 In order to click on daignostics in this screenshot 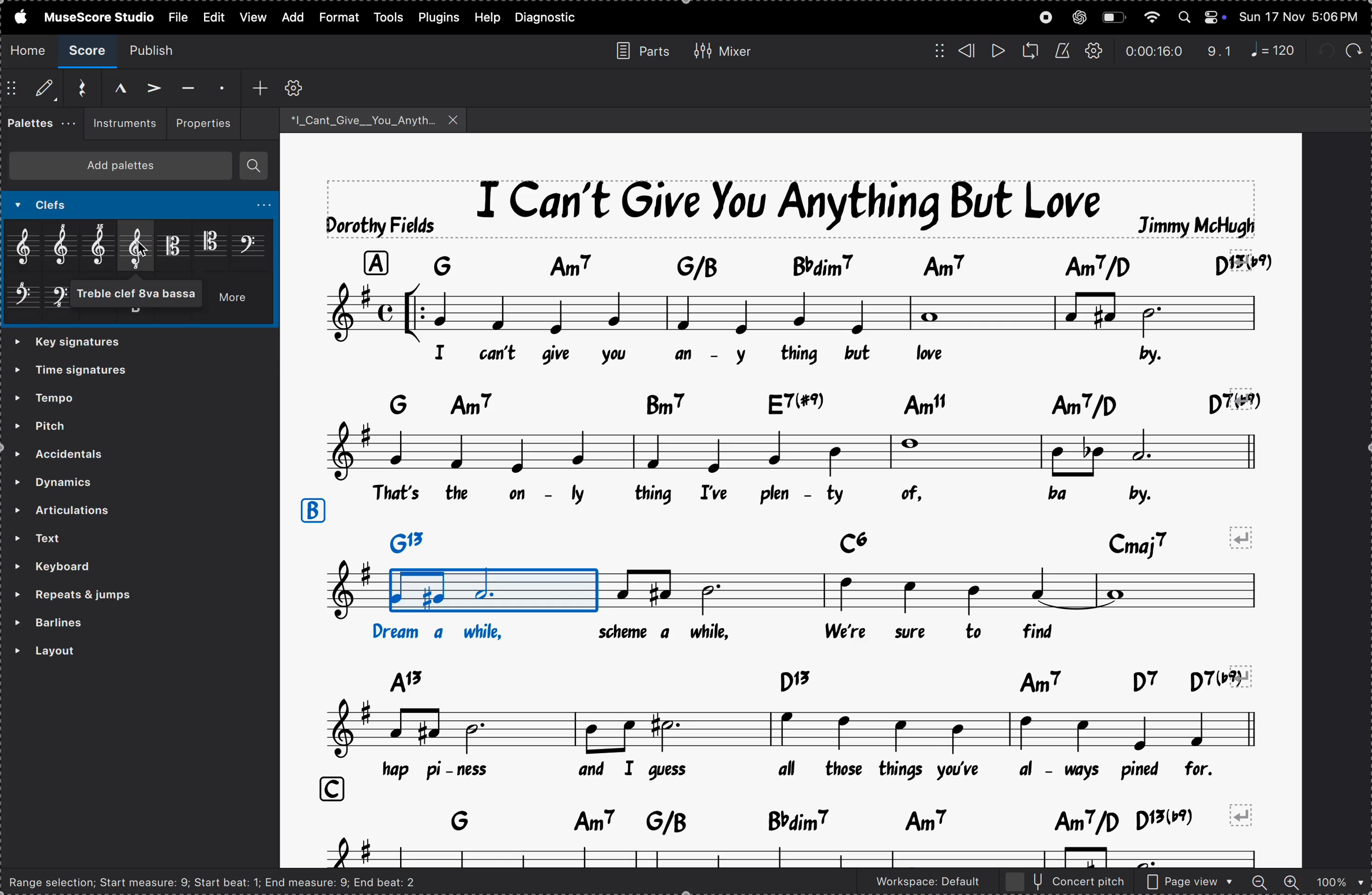, I will do `click(550, 18)`.